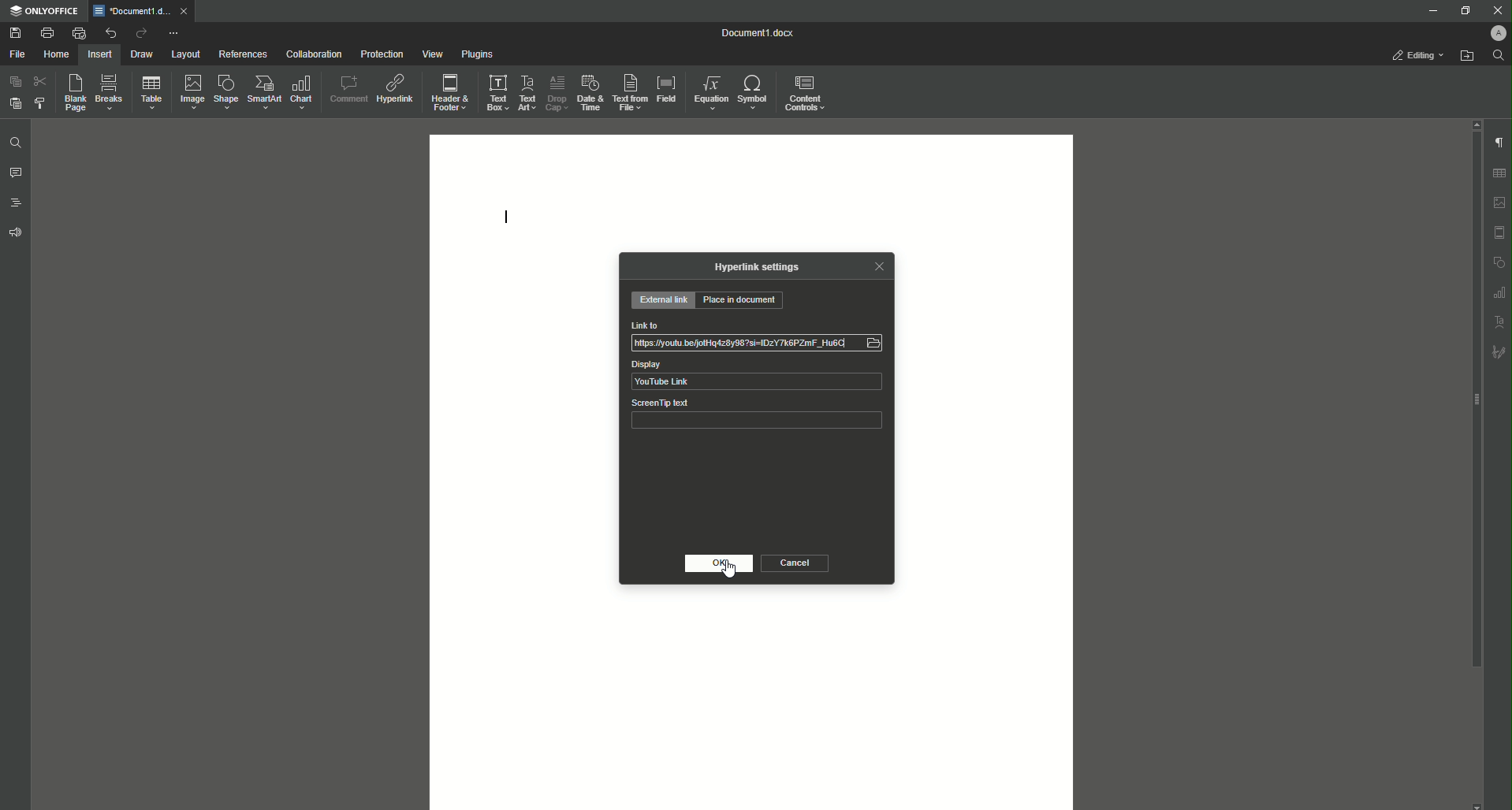  I want to click on Close, so click(883, 267).